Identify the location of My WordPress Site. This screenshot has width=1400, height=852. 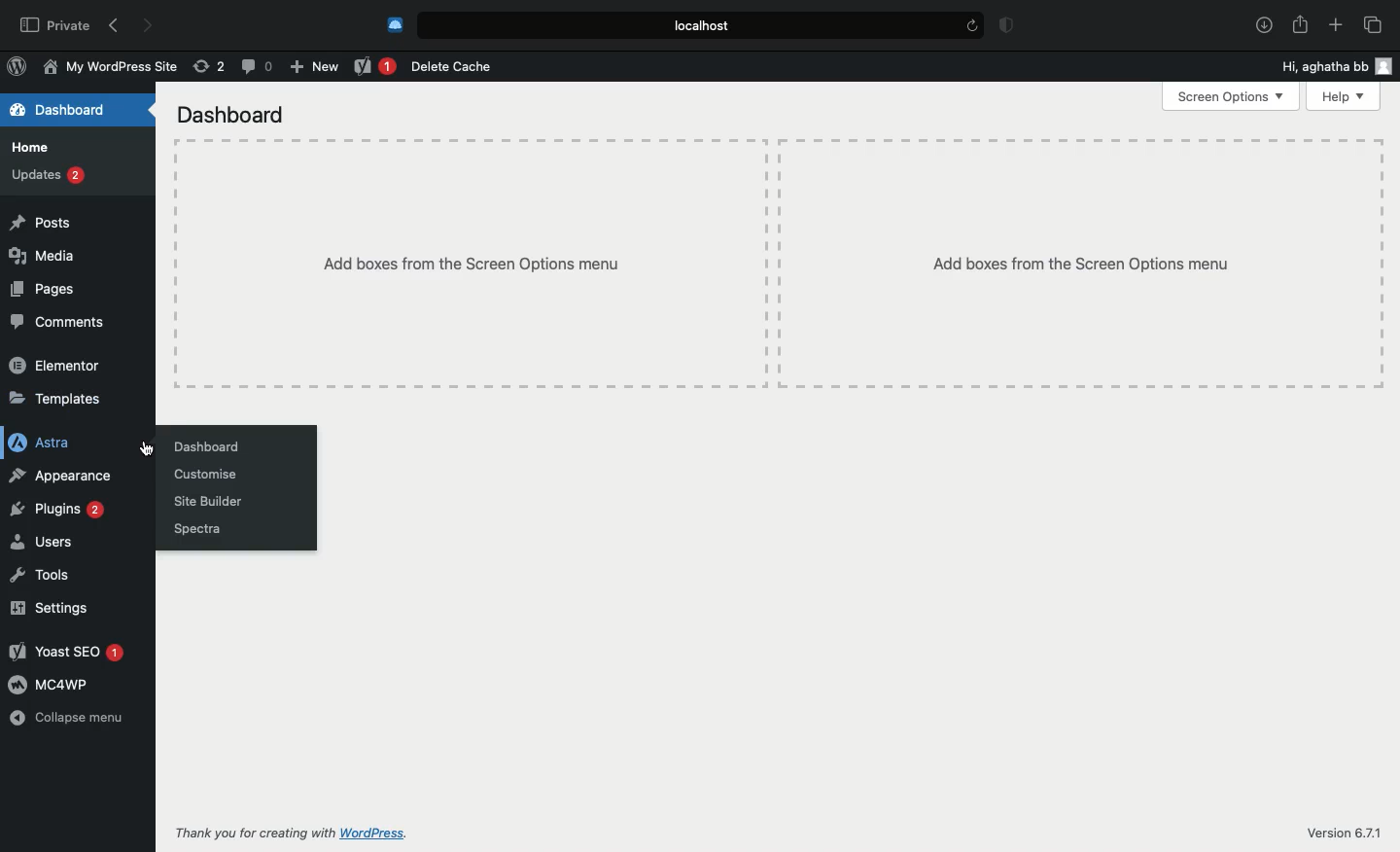
(110, 66).